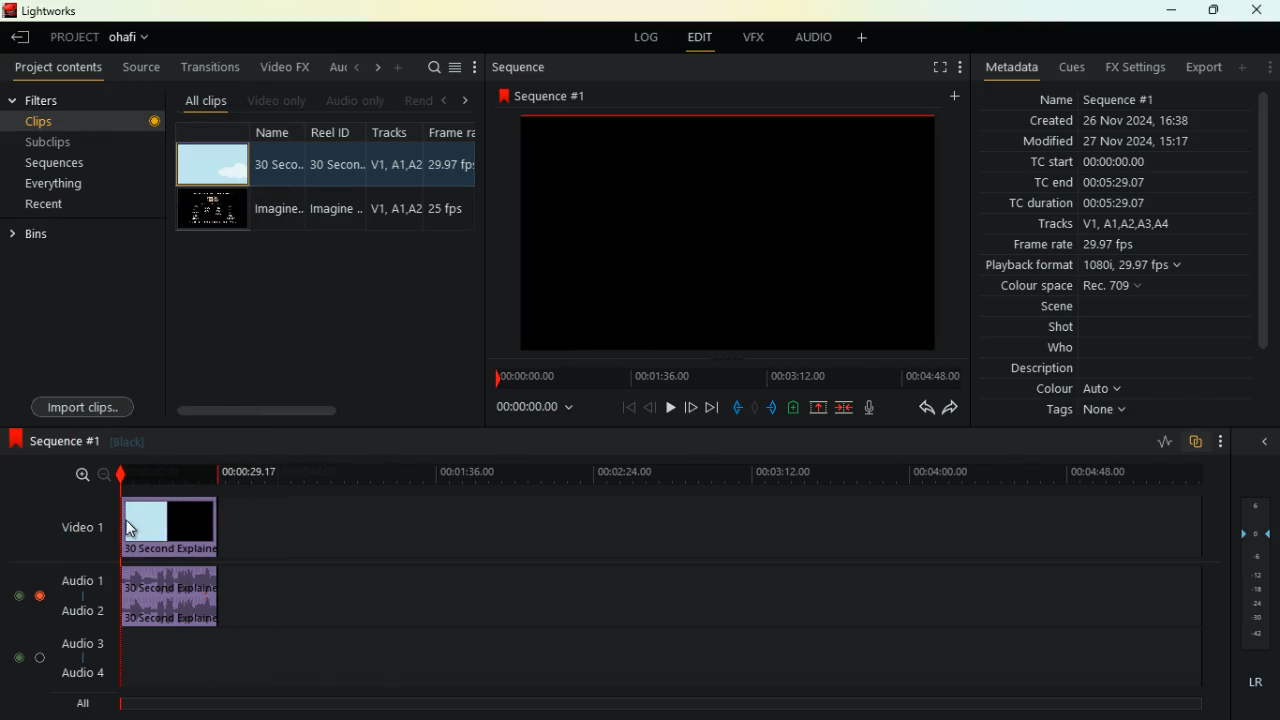 The width and height of the screenshot is (1280, 720). What do you see at coordinates (358, 66) in the screenshot?
I see `left` at bounding box center [358, 66].